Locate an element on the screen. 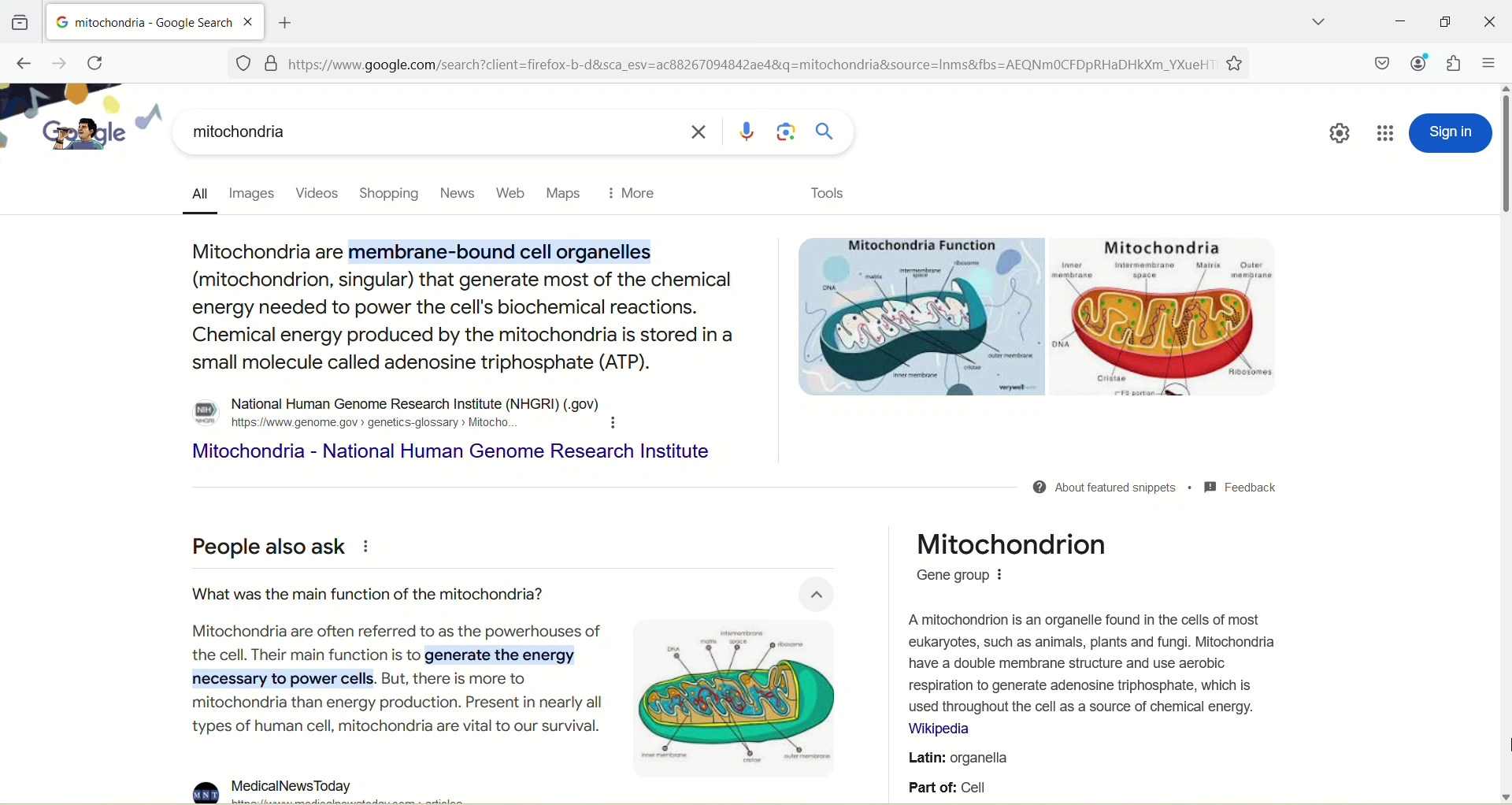 The width and height of the screenshot is (1512, 805). MM Feedback is located at coordinates (1243, 487).